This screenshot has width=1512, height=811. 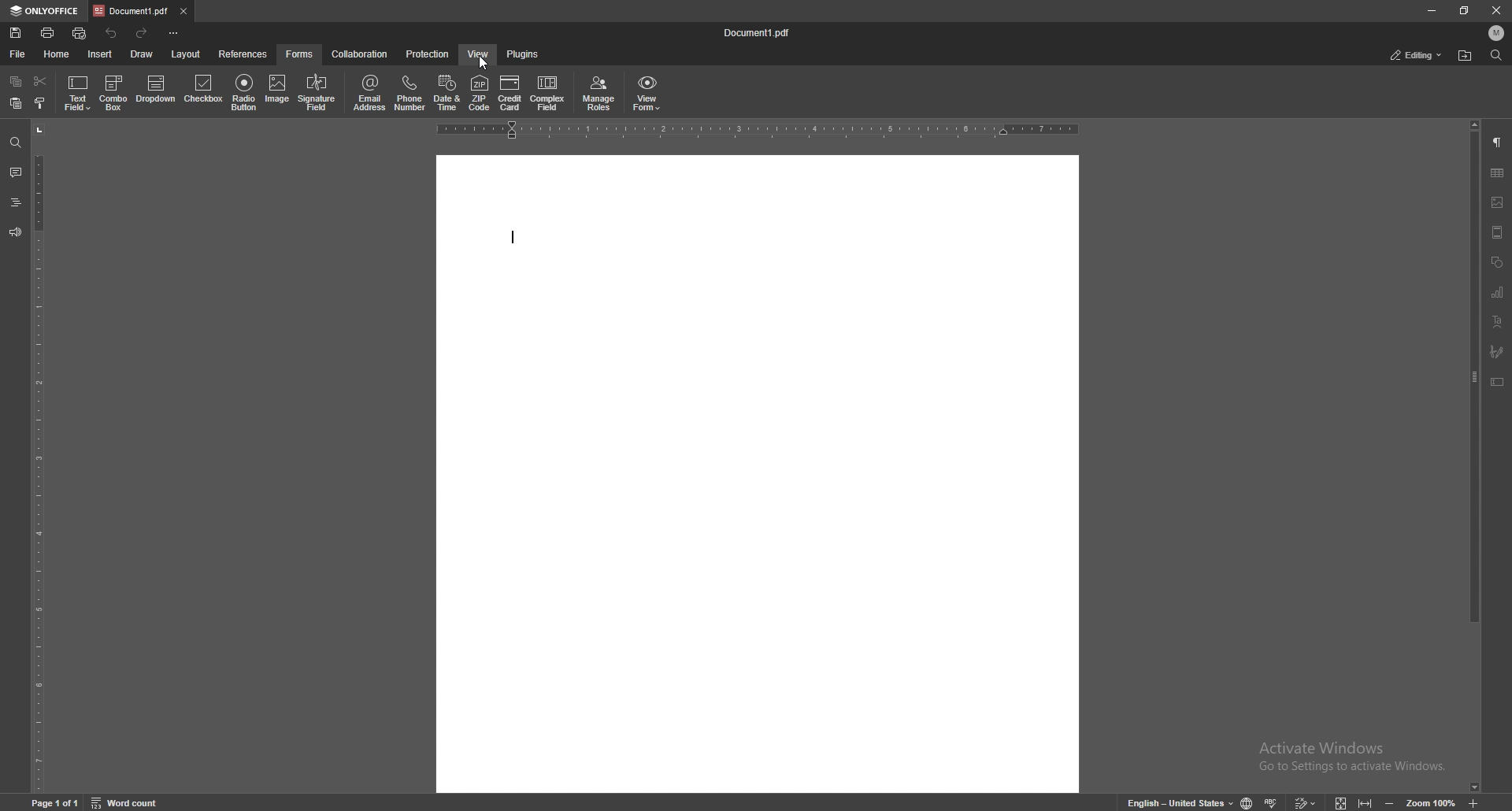 I want to click on cursor, so click(x=484, y=64).